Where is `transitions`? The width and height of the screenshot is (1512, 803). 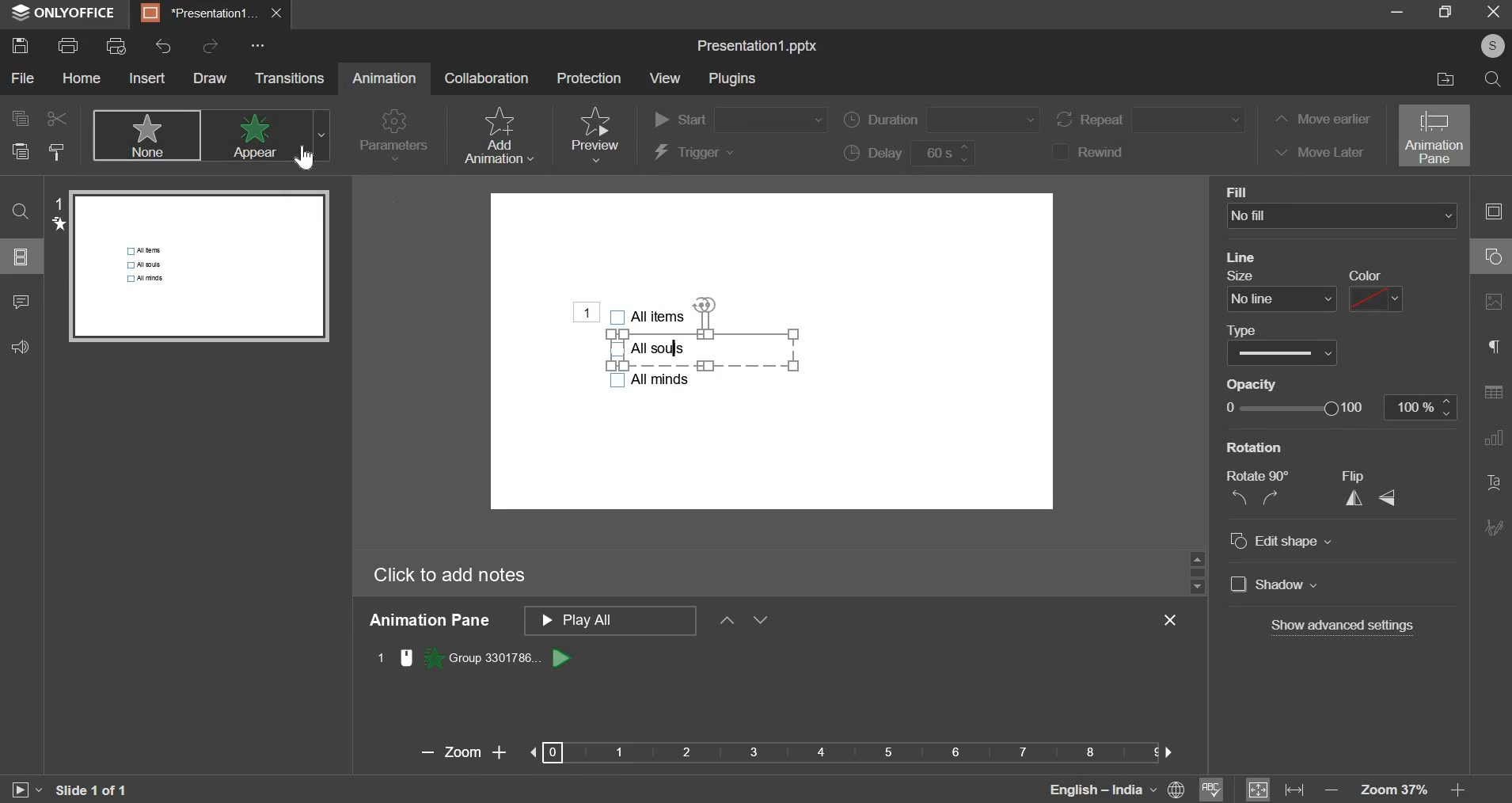 transitions is located at coordinates (289, 78).